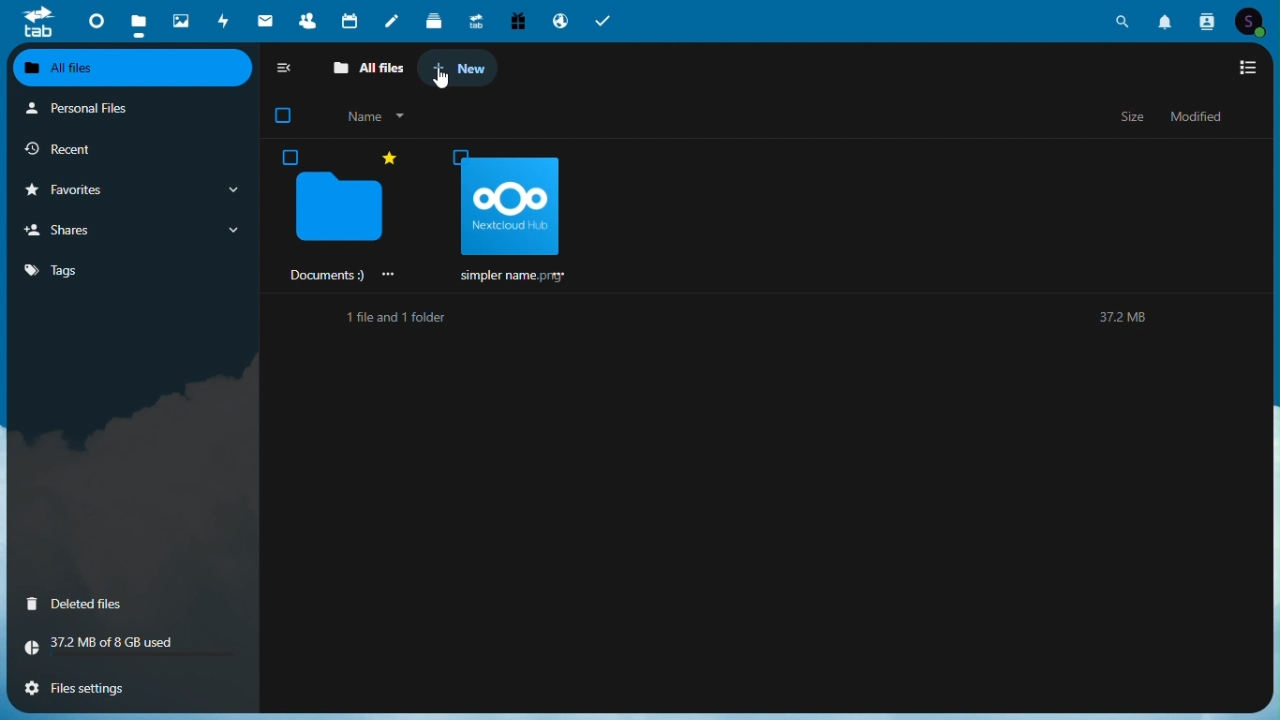 This screenshot has height=720, width=1280. I want to click on File settings, so click(128, 693).